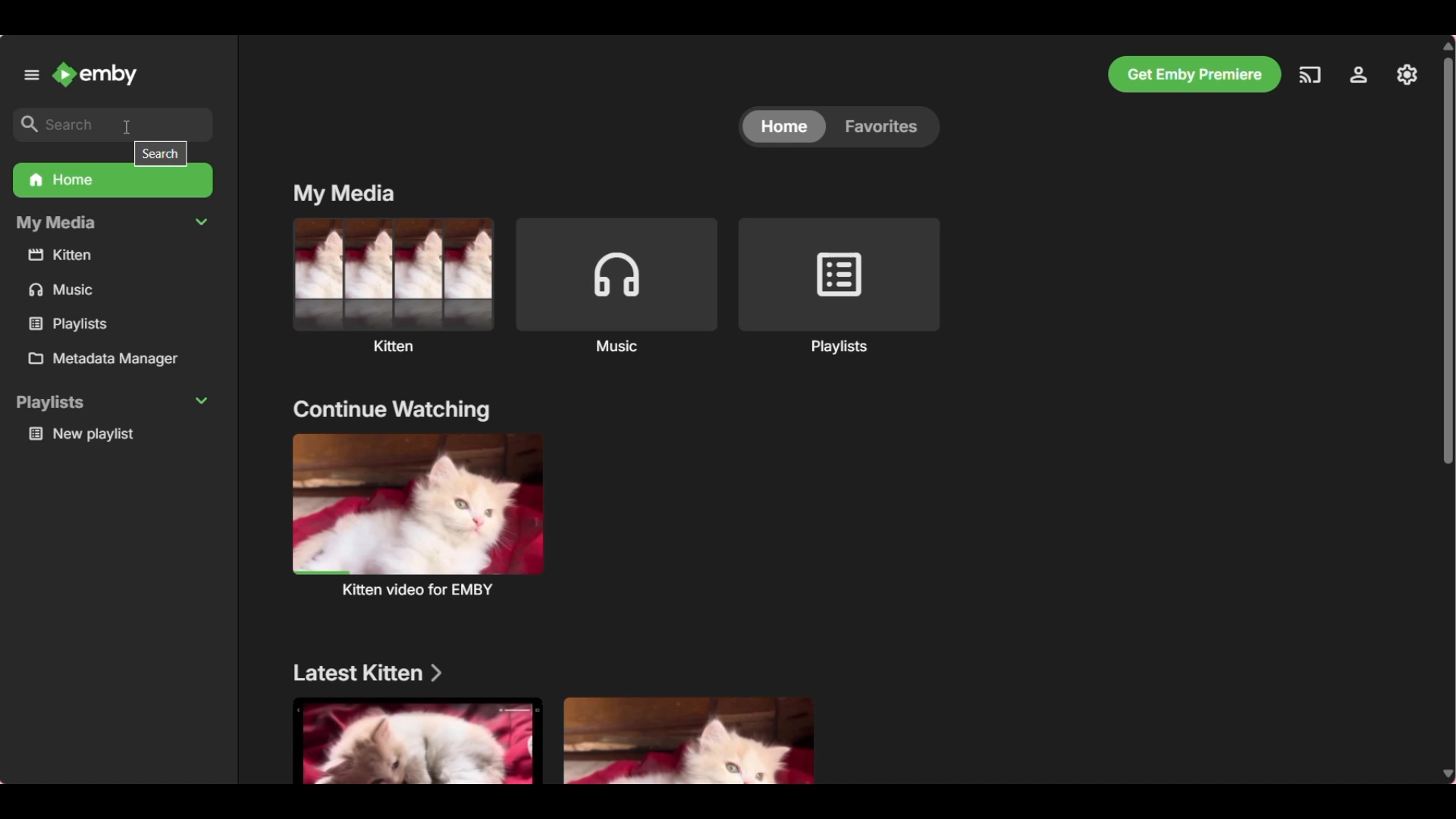  Describe the element at coordinates (1448, 411) in the screenshot. I see `Vertical slide bar` at that location.